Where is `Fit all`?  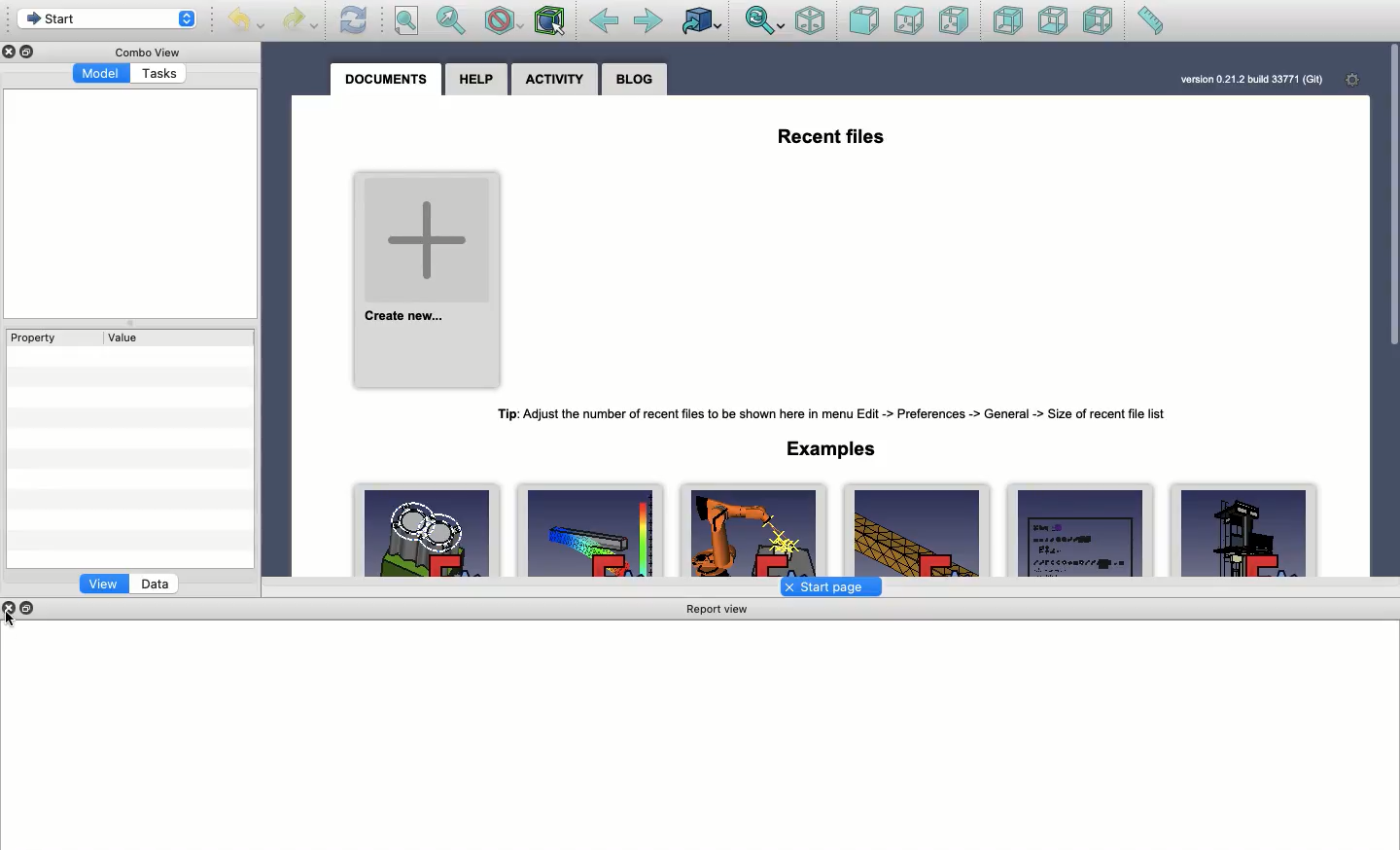
Fit all is located at coordinates (406, 20).